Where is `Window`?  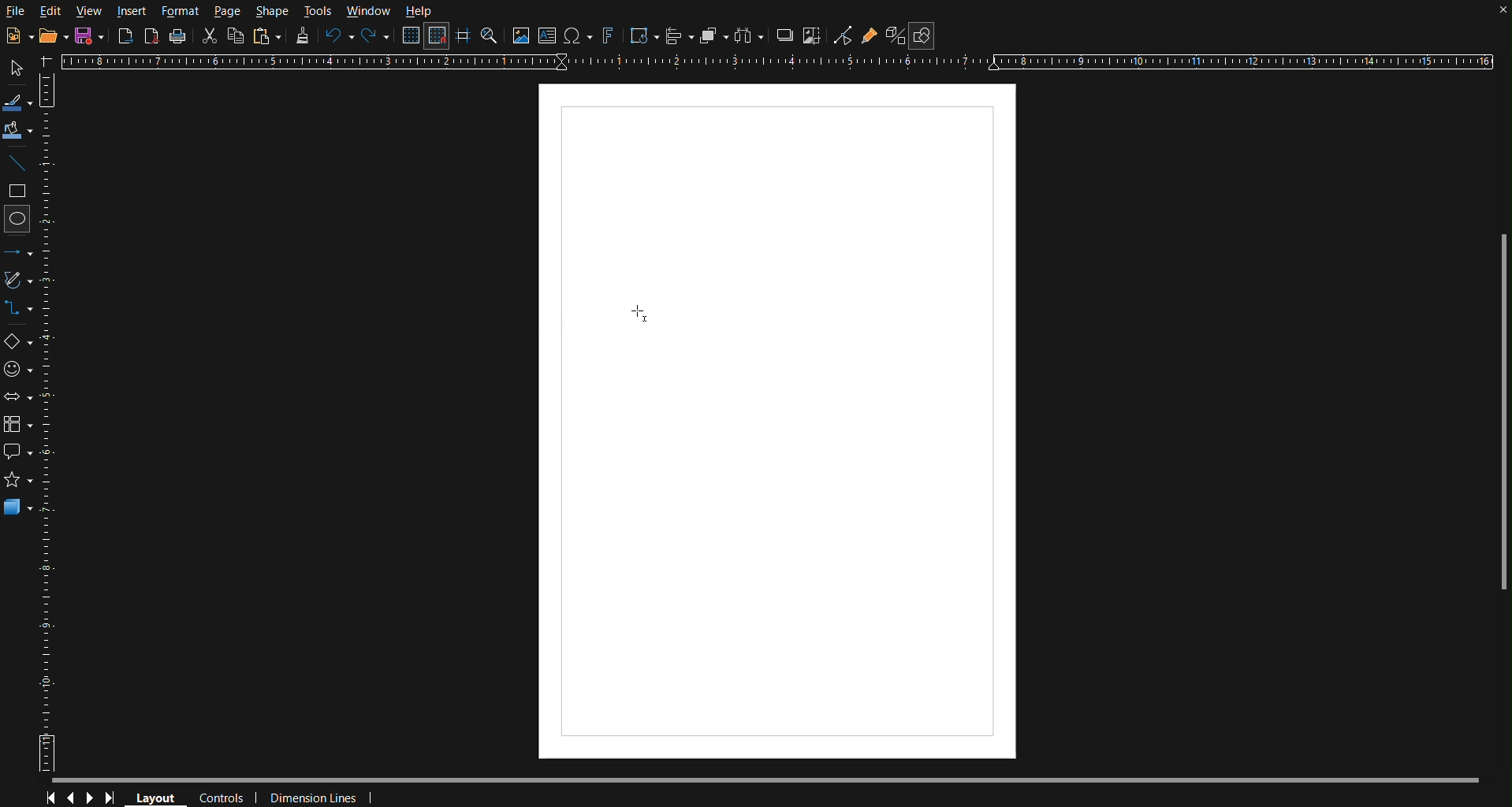
Window is located at coordinates (368, 10).